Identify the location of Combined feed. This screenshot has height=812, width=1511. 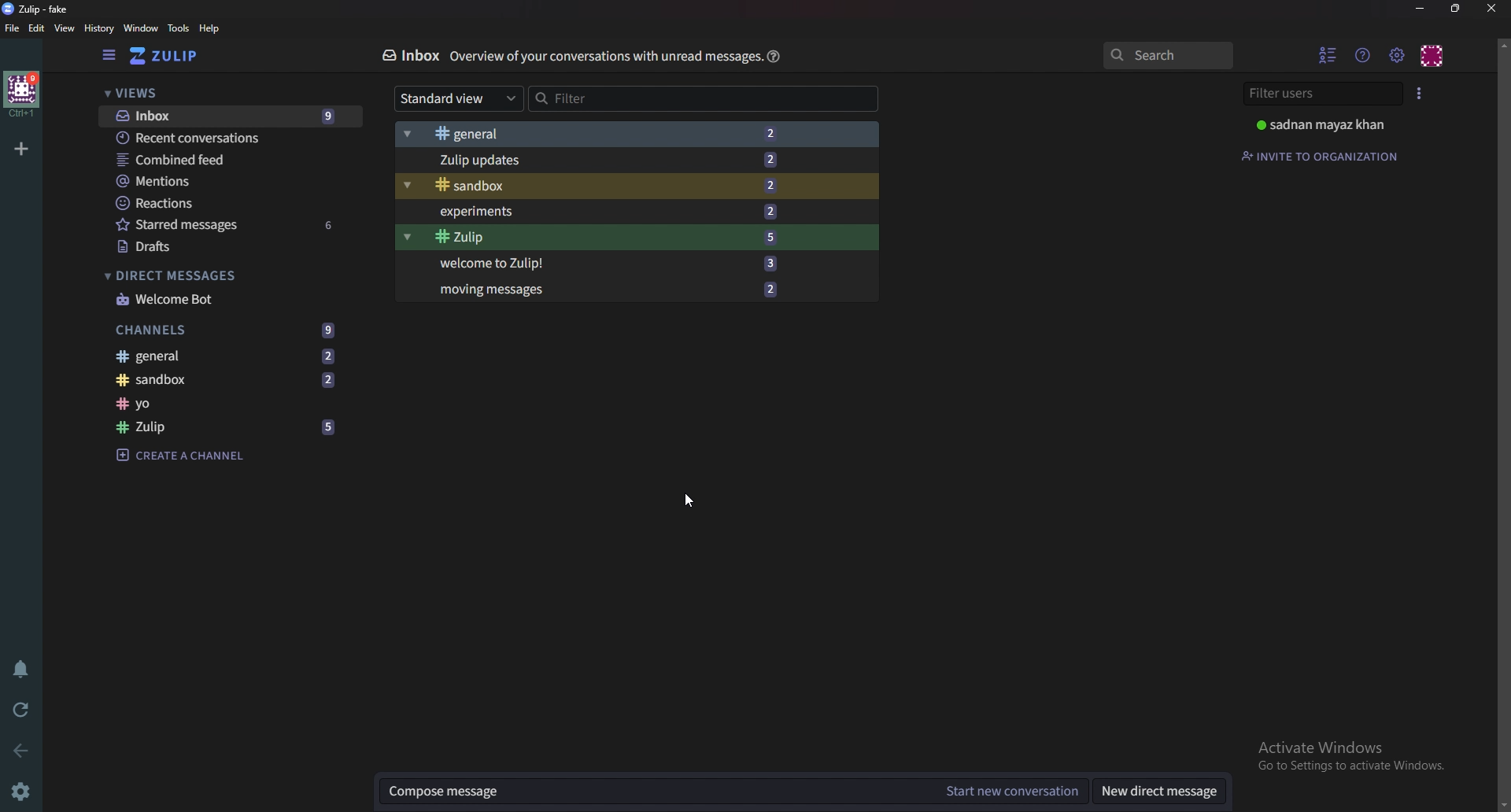
(212, 160).